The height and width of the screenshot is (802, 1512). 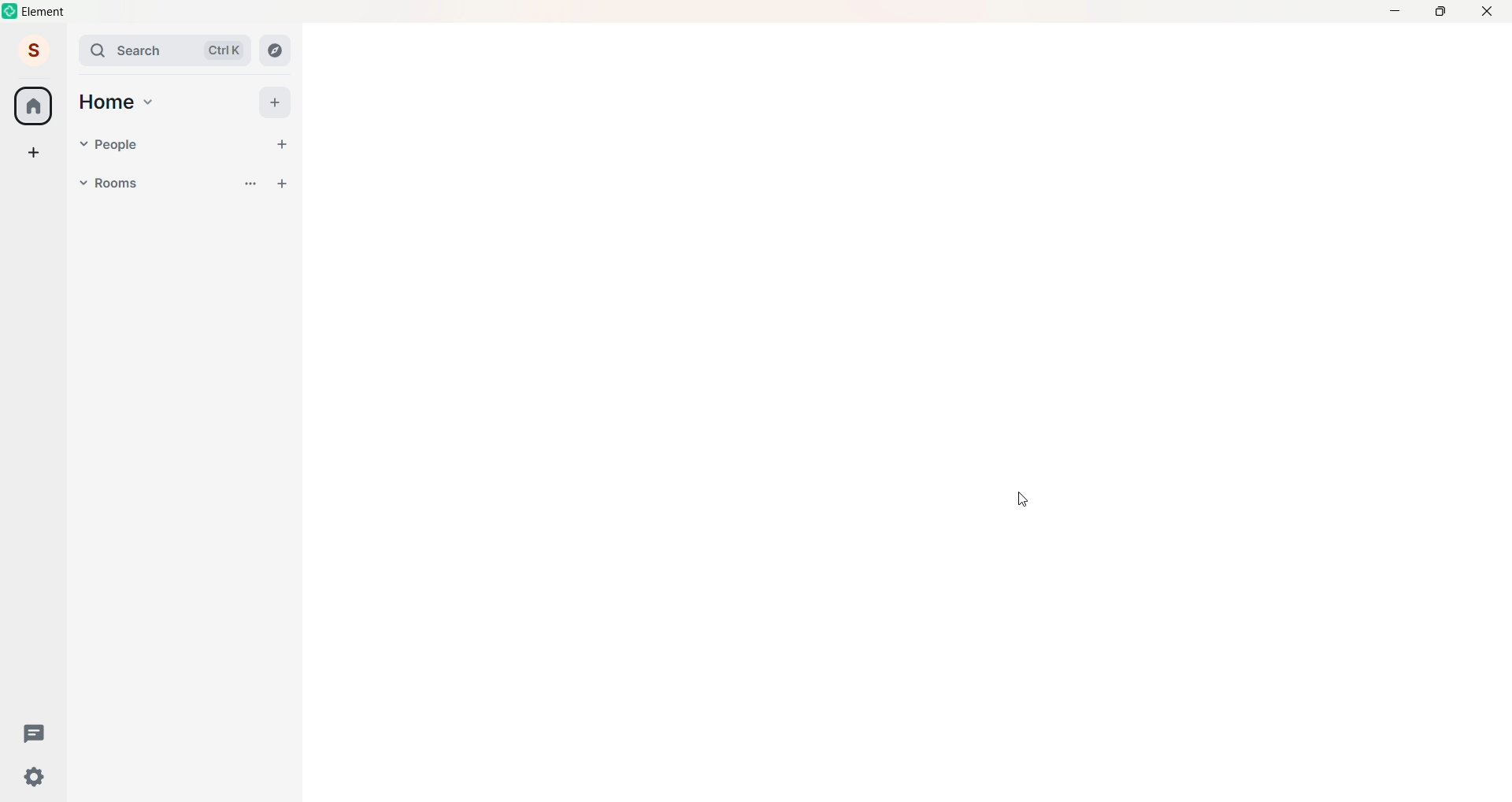 I want to click on List options, so click(x=254, y=184).